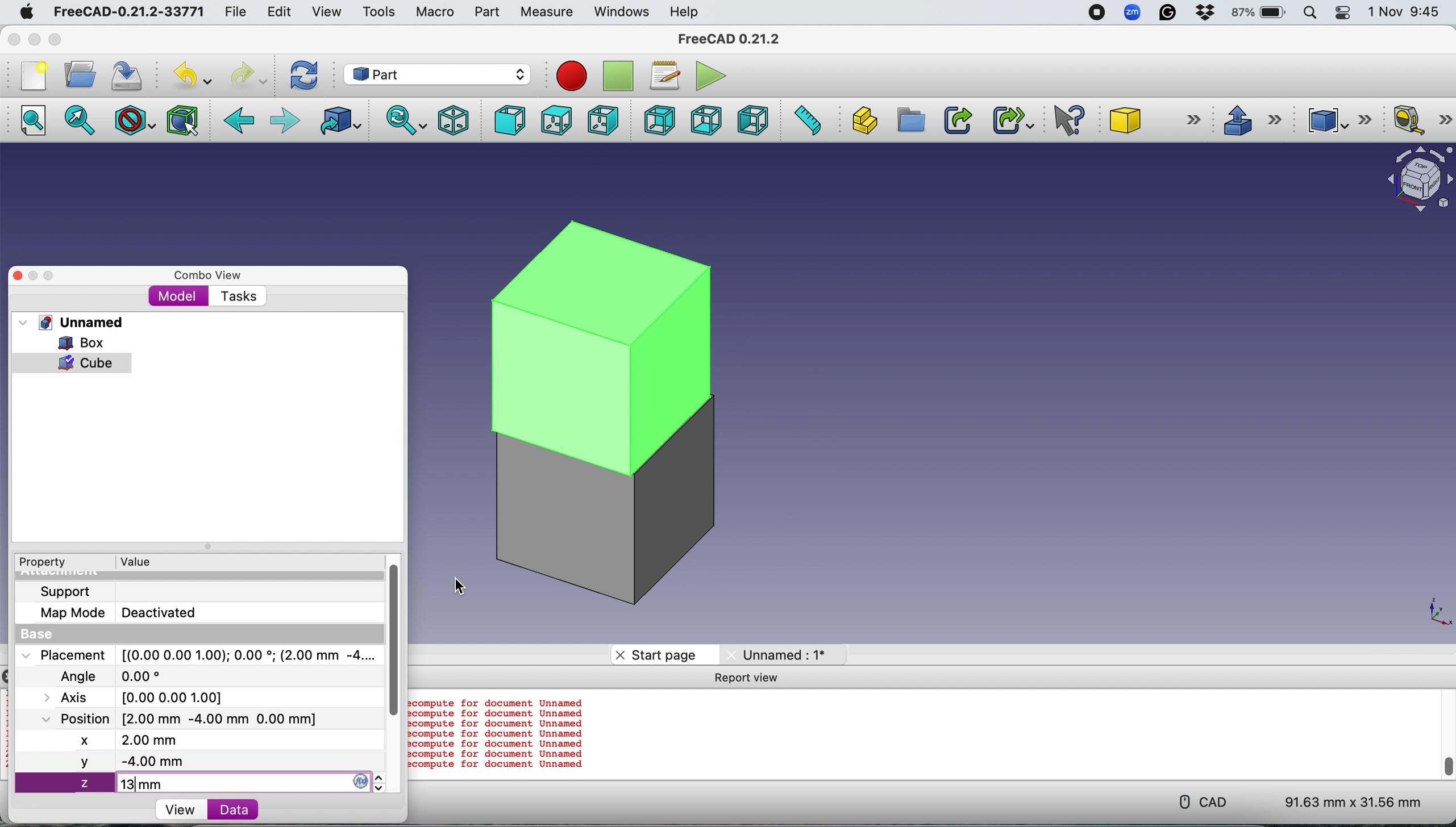  Describe the element at coordinates (34, 39) in the screenshot. I see `minimise` at that location.